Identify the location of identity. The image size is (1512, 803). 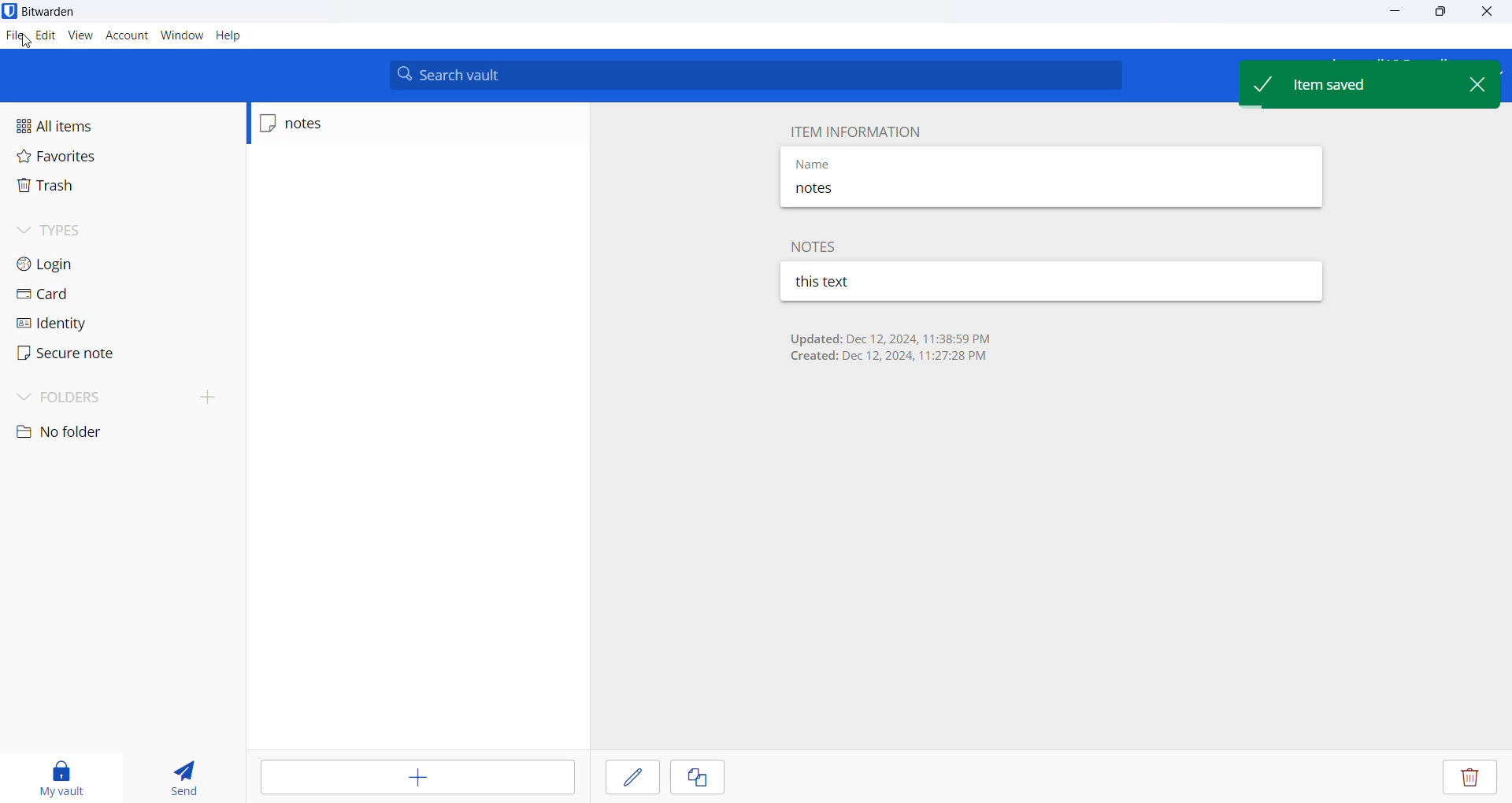
(72, 327).